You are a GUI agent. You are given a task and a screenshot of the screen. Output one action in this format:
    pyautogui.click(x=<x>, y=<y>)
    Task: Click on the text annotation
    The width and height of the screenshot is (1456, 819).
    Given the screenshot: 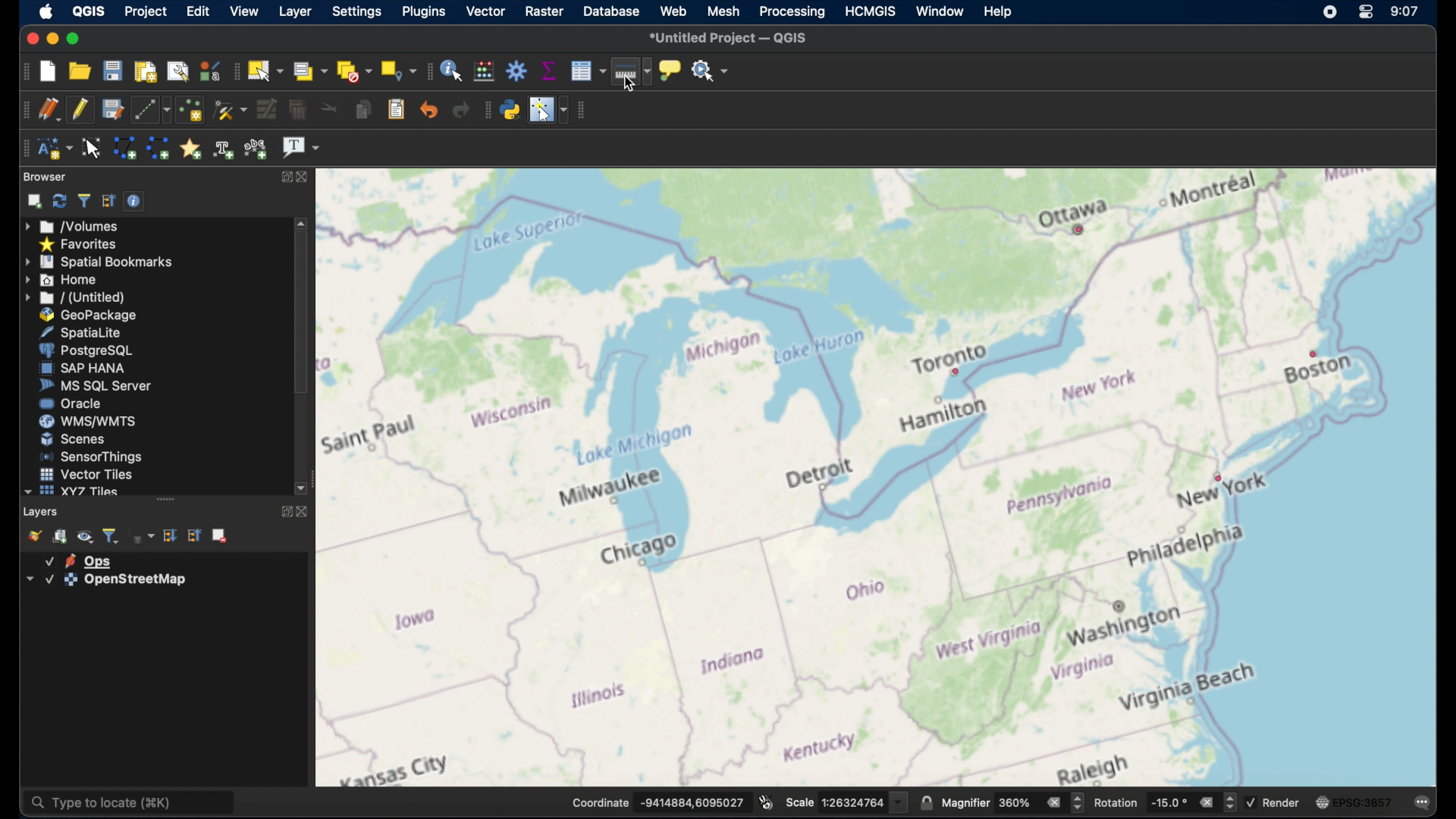 What is the action you would take?
    pyautogui.click(x=301, y=149)
    